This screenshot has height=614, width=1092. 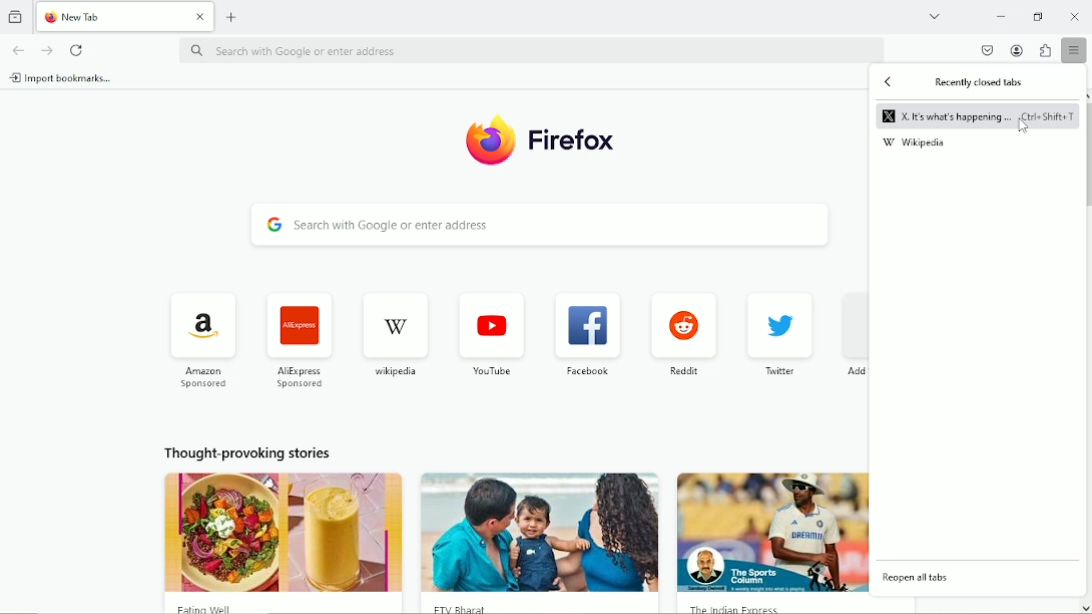 I want to click on view recent browsing, so click(x=16, y=16).